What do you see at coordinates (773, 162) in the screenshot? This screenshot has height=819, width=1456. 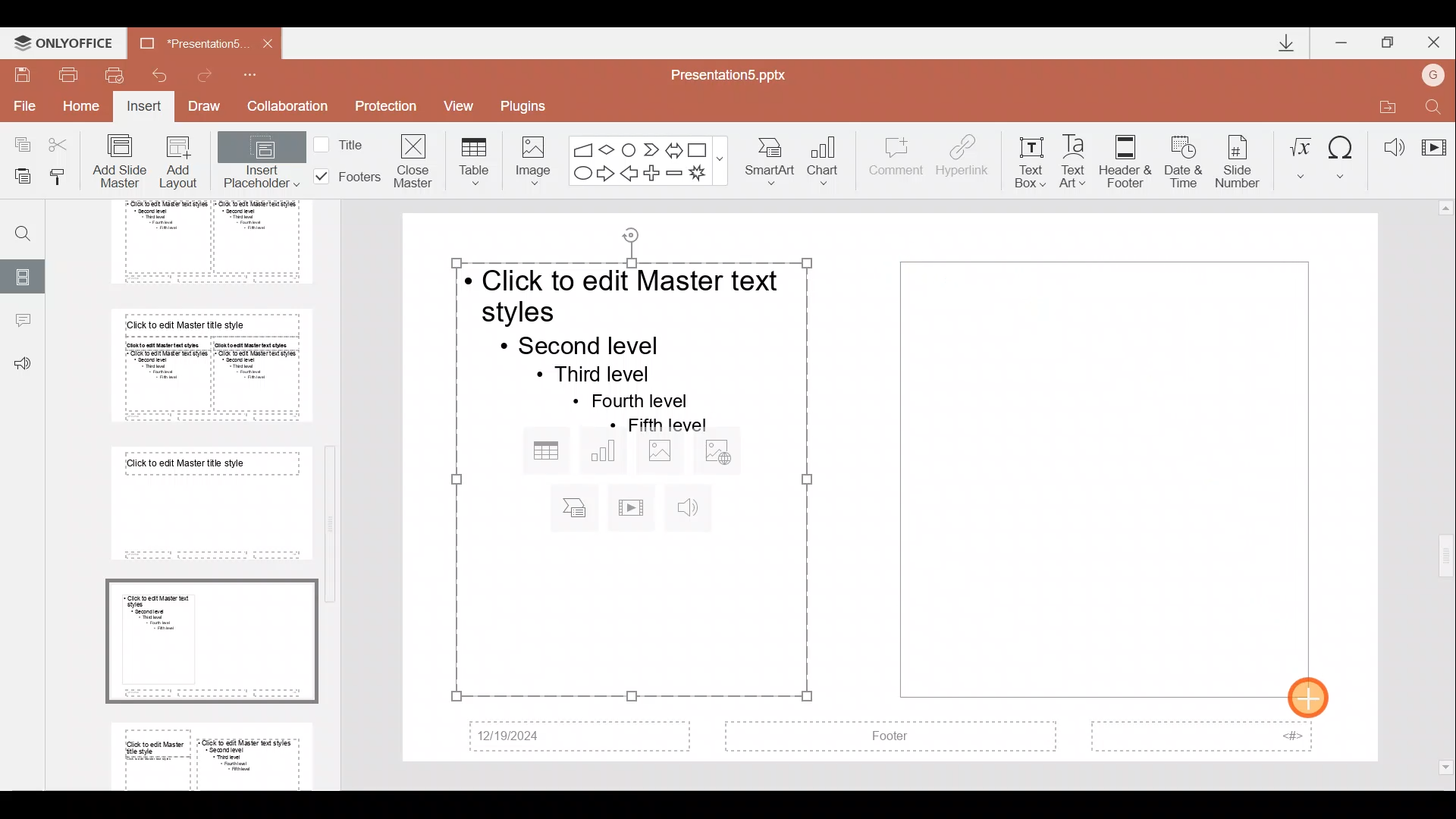 I see `SmartArt` at bounding box center [773, 162].